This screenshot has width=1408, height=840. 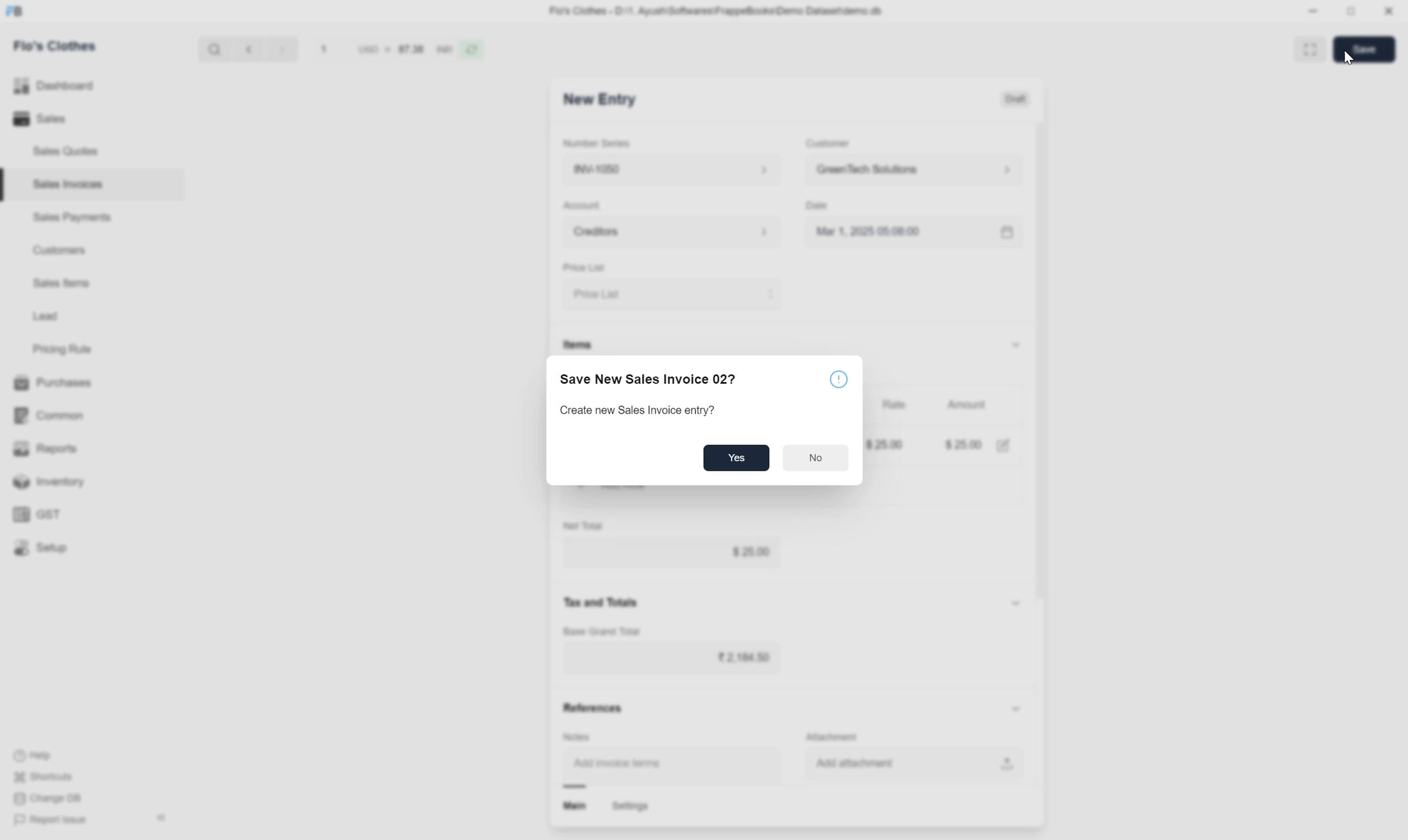 What do you see at coordinates (651, 382) in the screenshot?
I see `Save New Sales Invoice 02?` at bounding box center [651, 382].